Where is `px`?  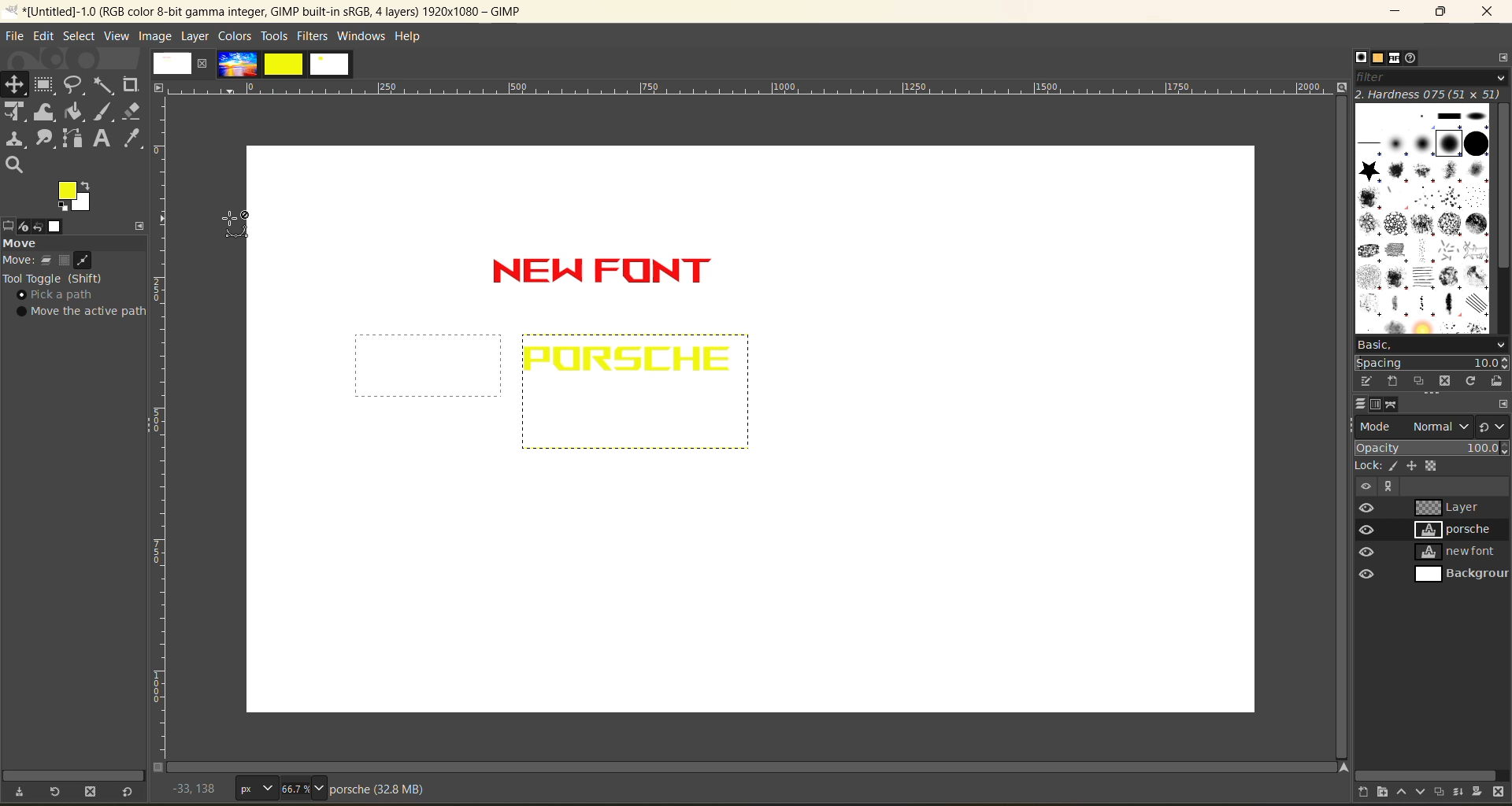
px is located at coordinates (254, 788).